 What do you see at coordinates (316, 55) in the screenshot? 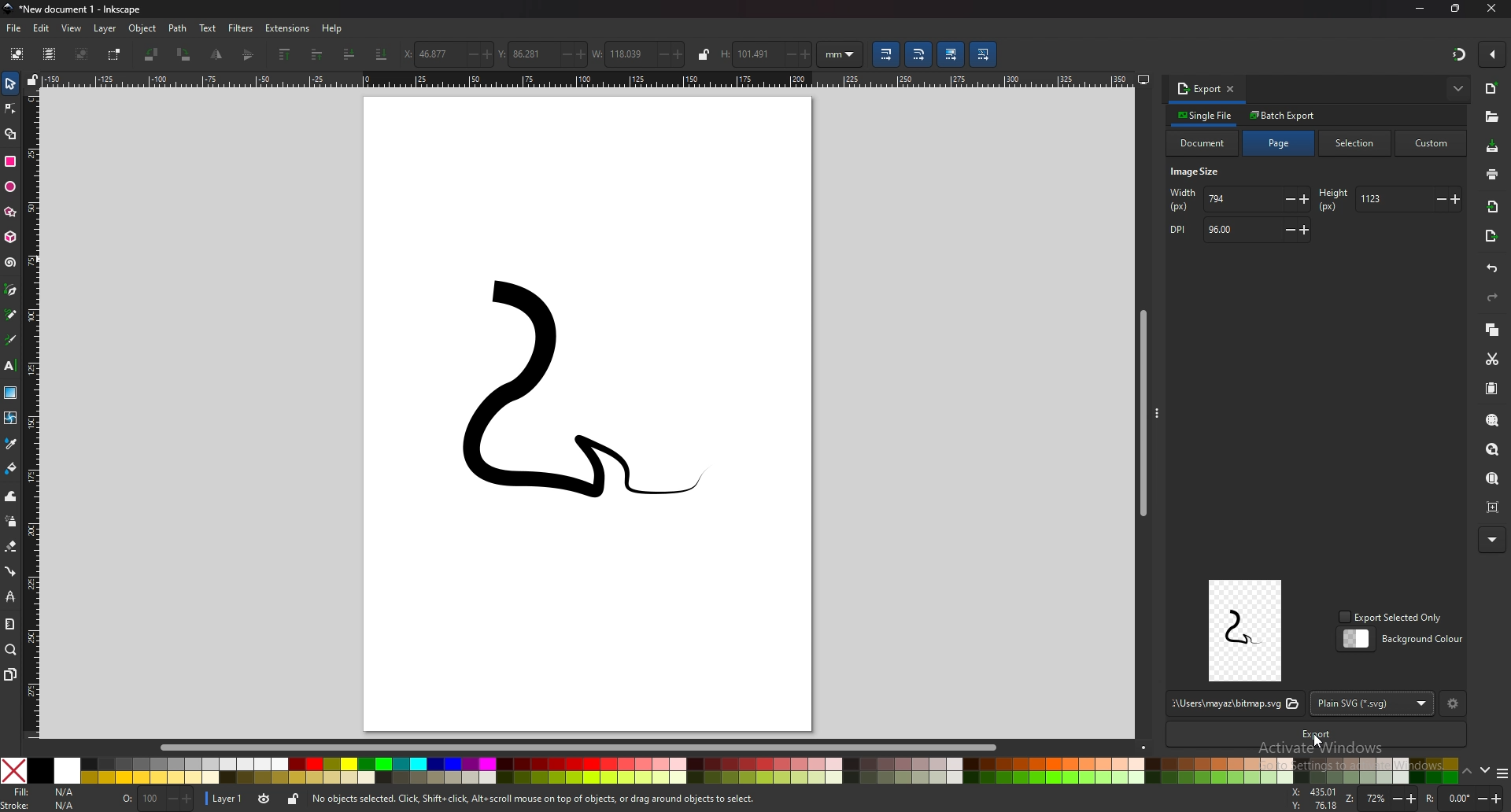
I see `raise selection one step` at bounding box center [316, 55].